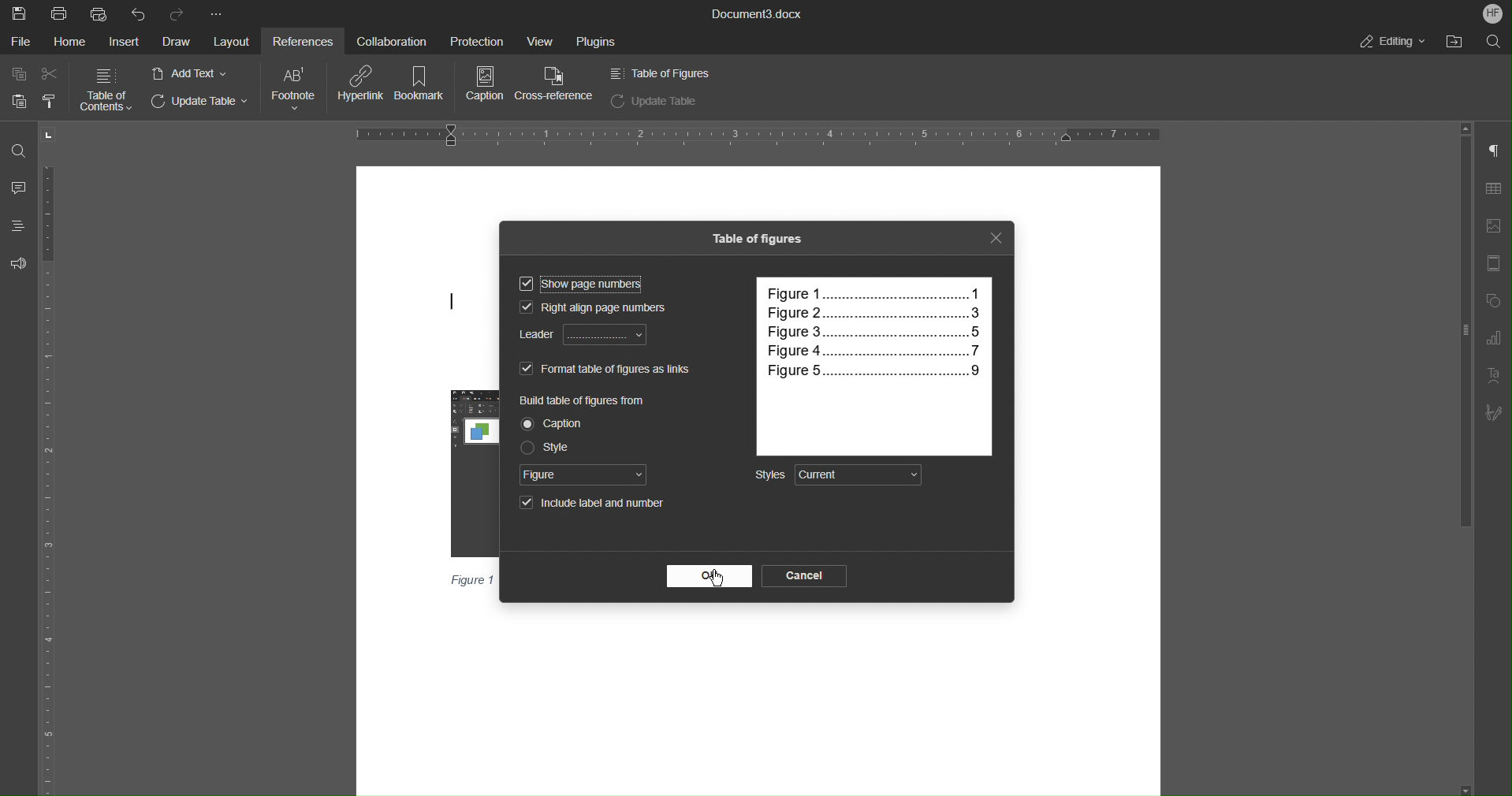 The image size is (1512, 796). Describe the element at coordinates (594, 41) in the screenshot. I see `Plugins` at that location.